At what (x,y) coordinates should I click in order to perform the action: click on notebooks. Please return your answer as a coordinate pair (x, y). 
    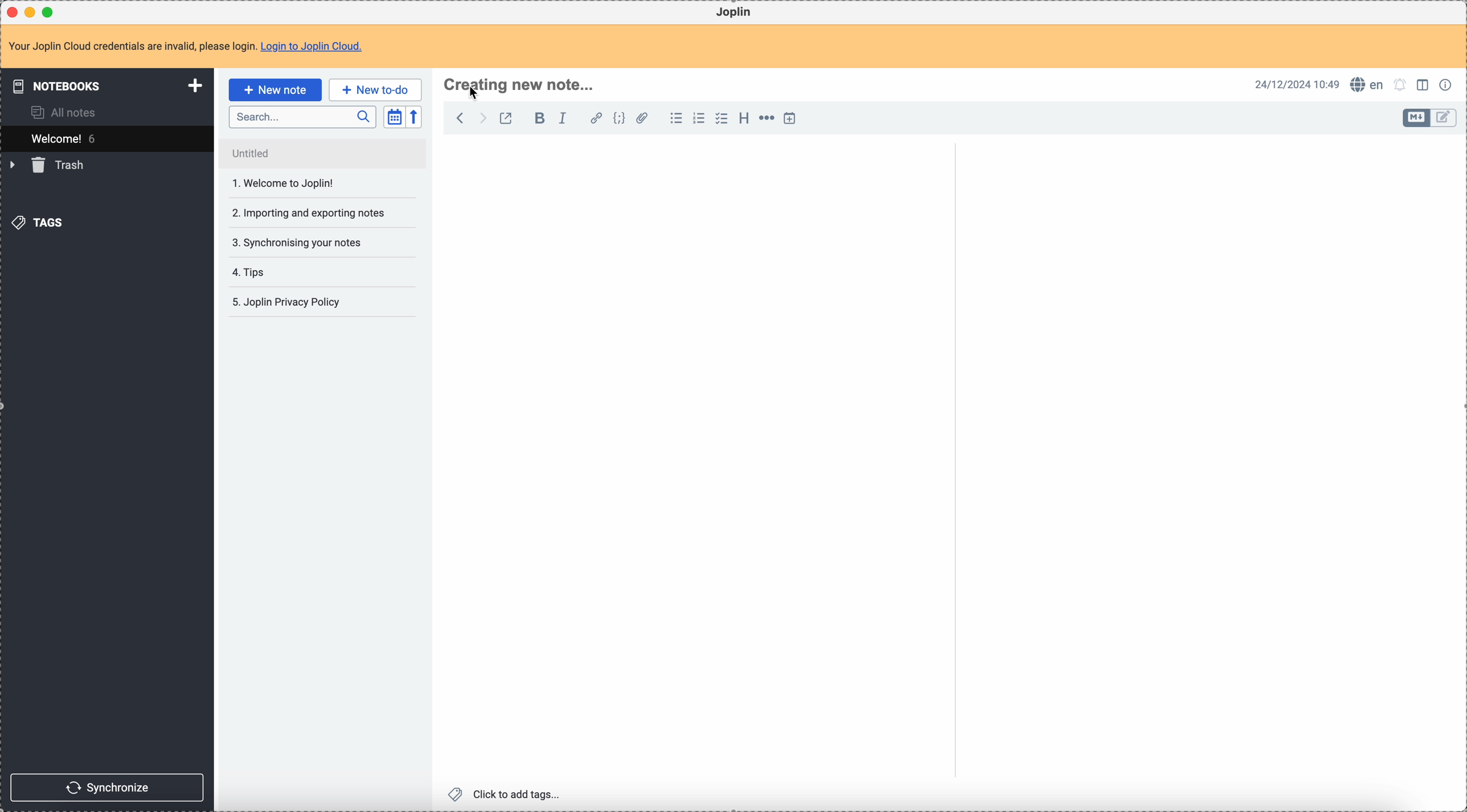
    Looking at the image, I should click on (103, 87).